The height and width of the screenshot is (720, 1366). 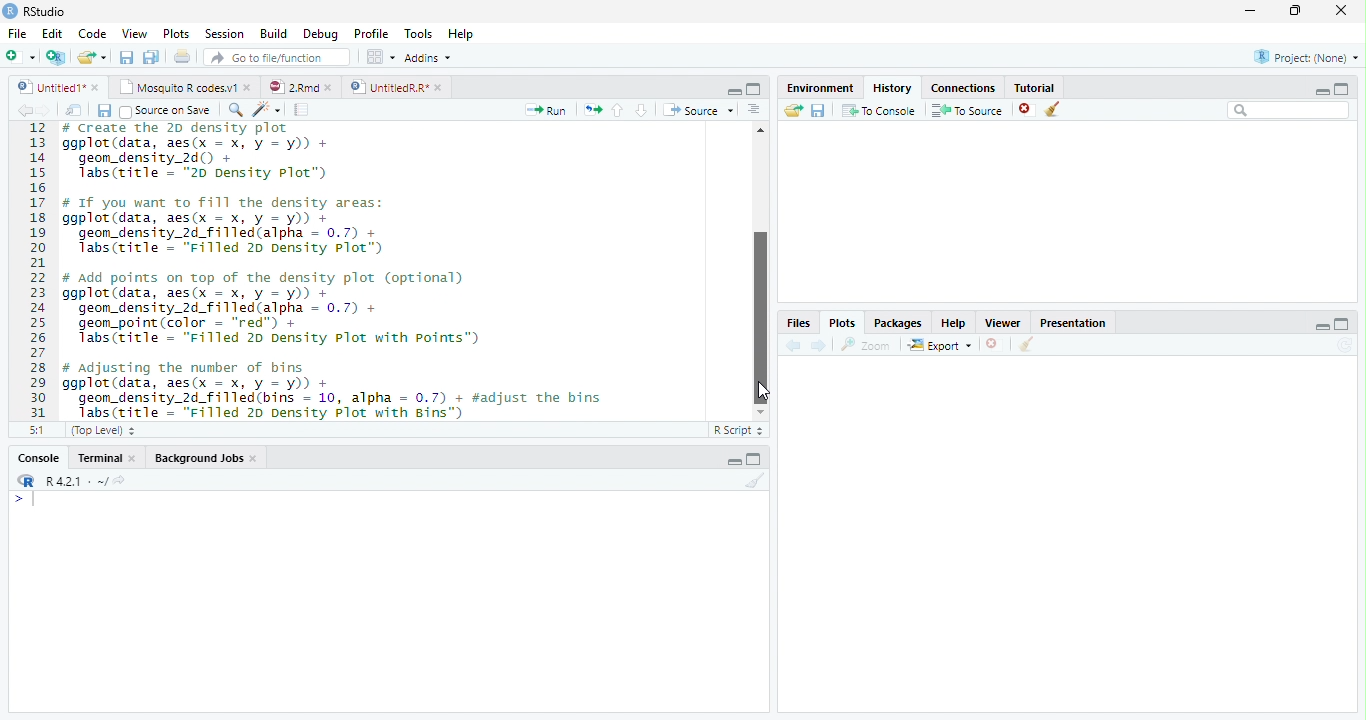 I want to click on Code, so click(x=94, y=35).